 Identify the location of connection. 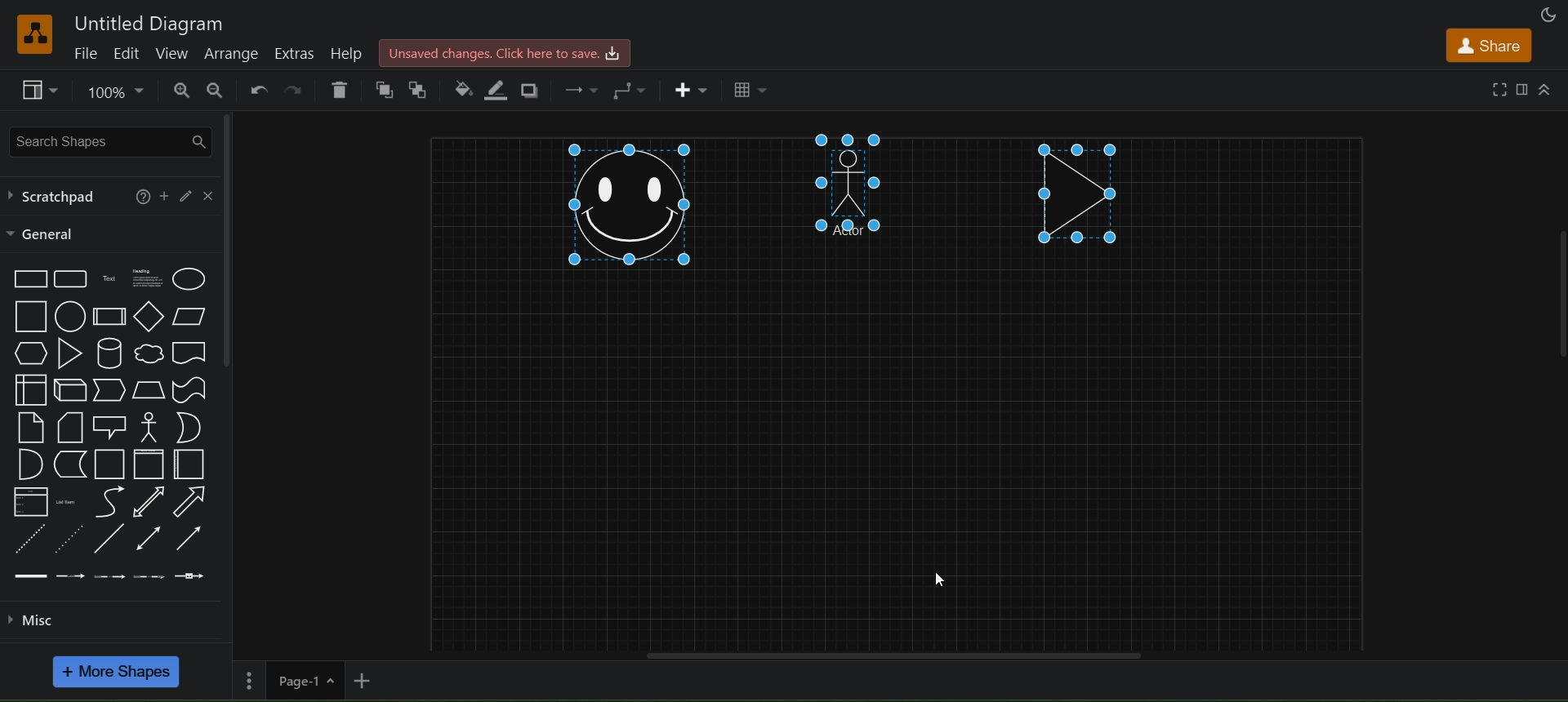
(581, 88).